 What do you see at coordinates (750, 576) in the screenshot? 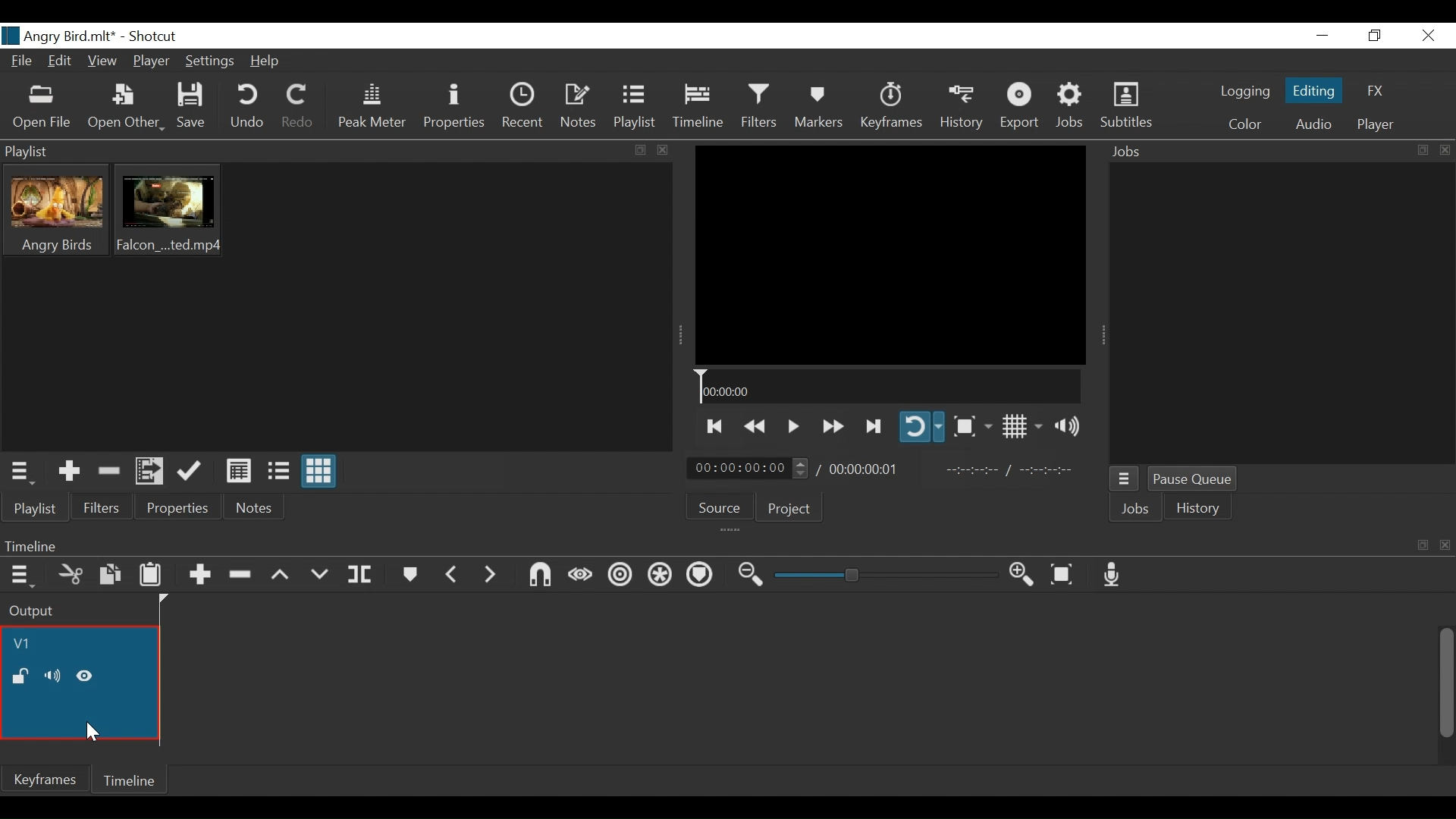
I see `Zoom timeline out` at bounding box center [750, 576].